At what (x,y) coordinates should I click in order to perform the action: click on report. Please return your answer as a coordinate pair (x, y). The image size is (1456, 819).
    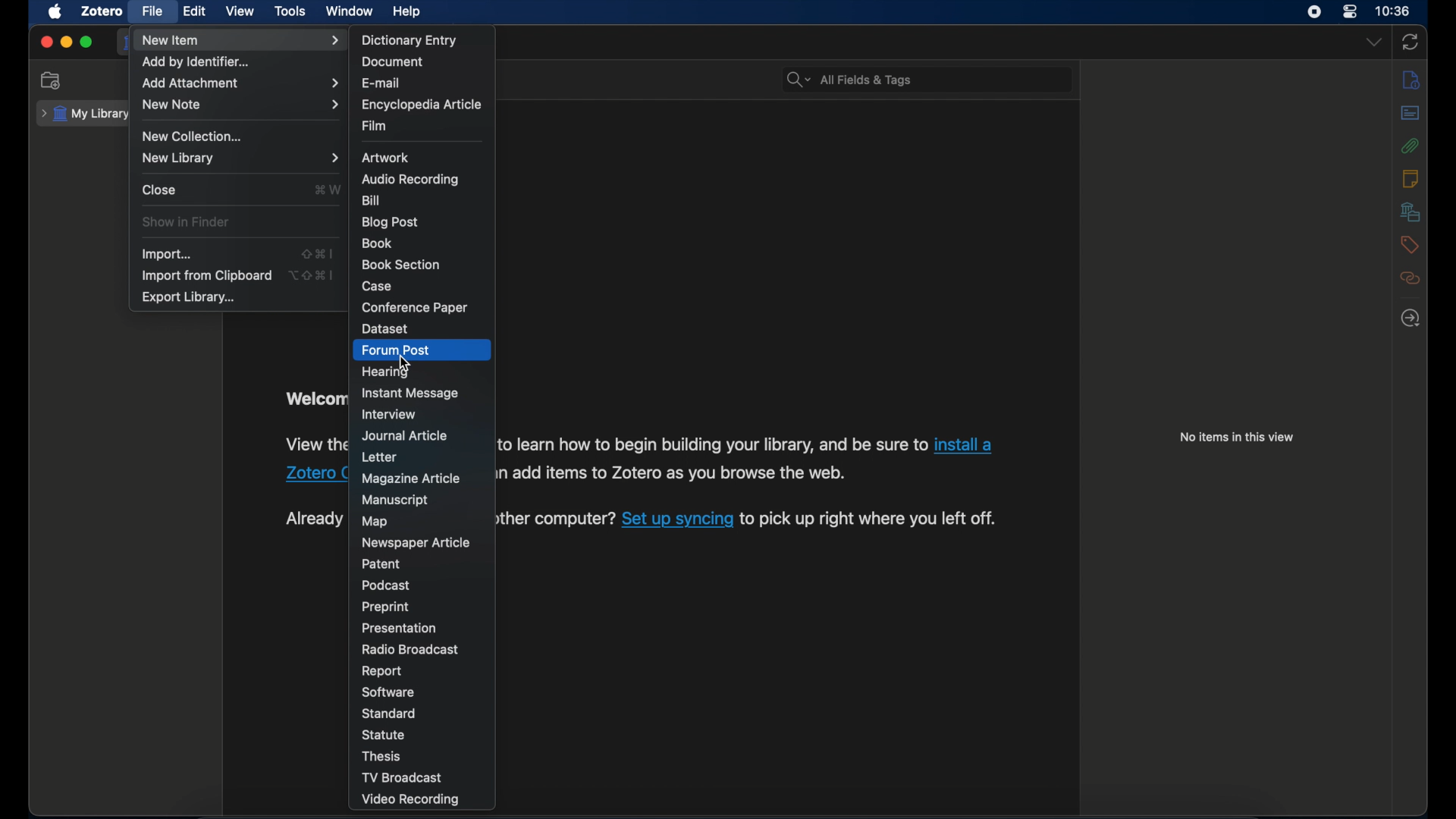
    Looking at the image, I should click on (383, 671).